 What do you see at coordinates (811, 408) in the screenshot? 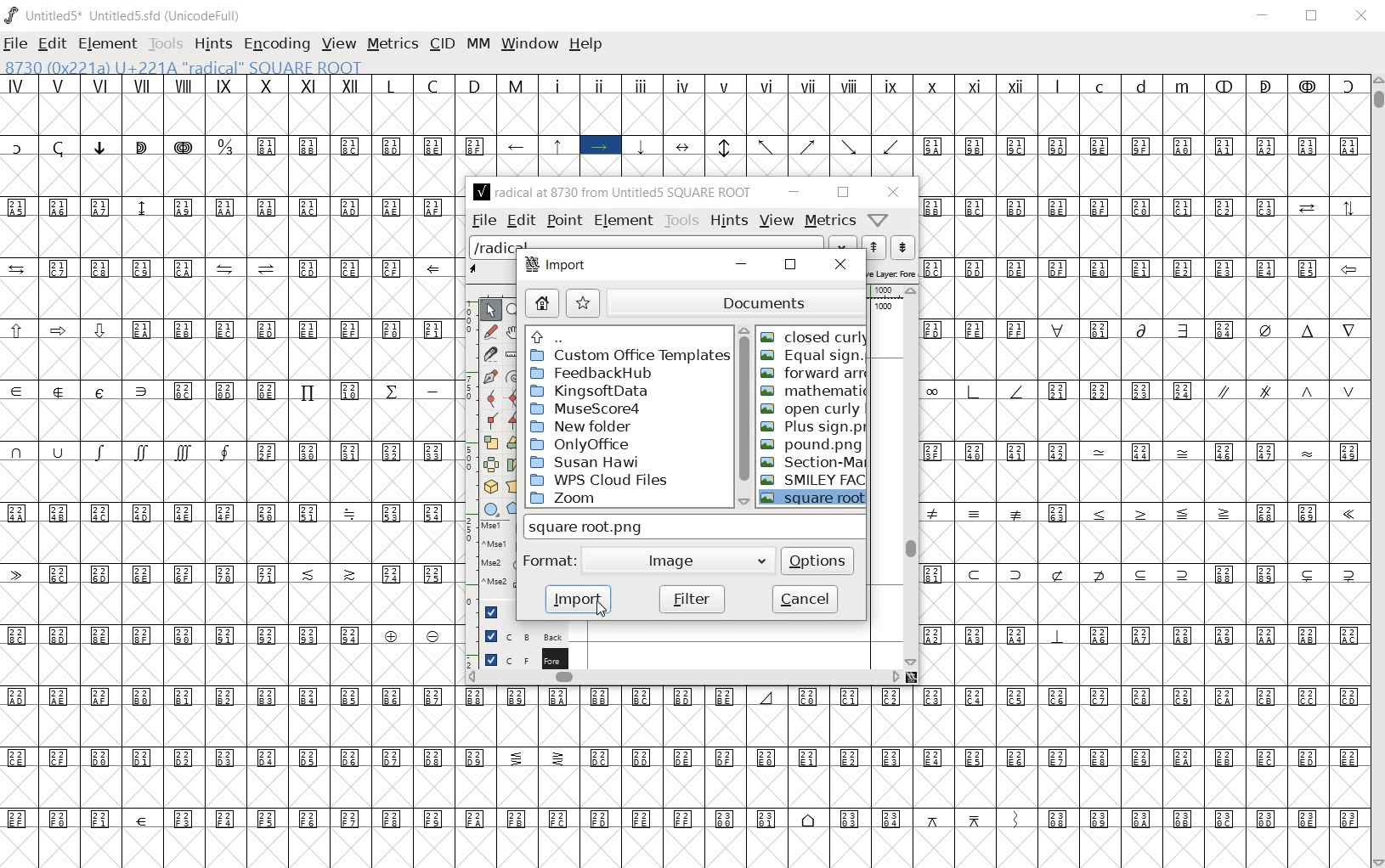
I see `open curly` at bounding box center [811, 408].